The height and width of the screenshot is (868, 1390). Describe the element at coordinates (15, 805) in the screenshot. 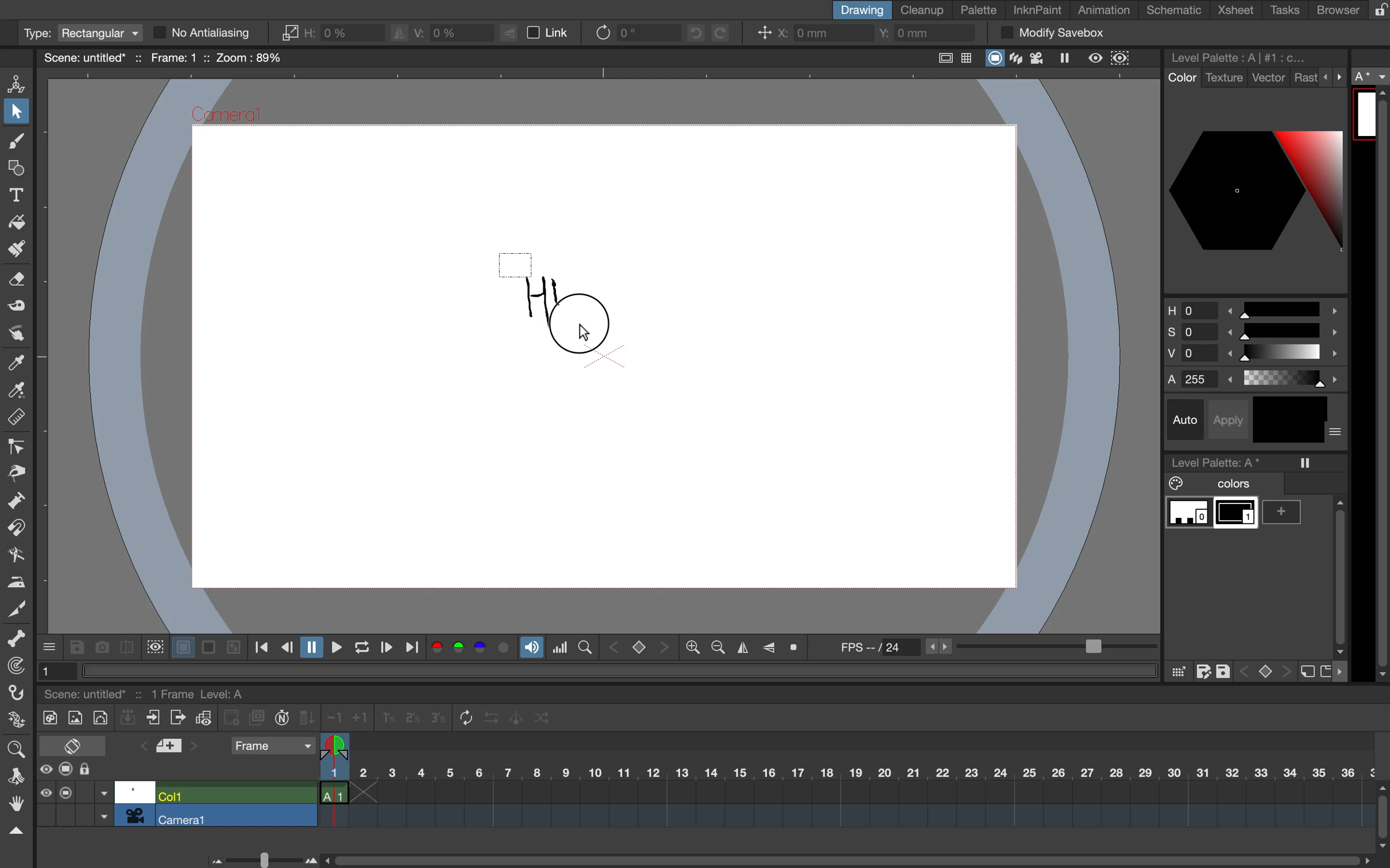

I see `hand tool` at that location.